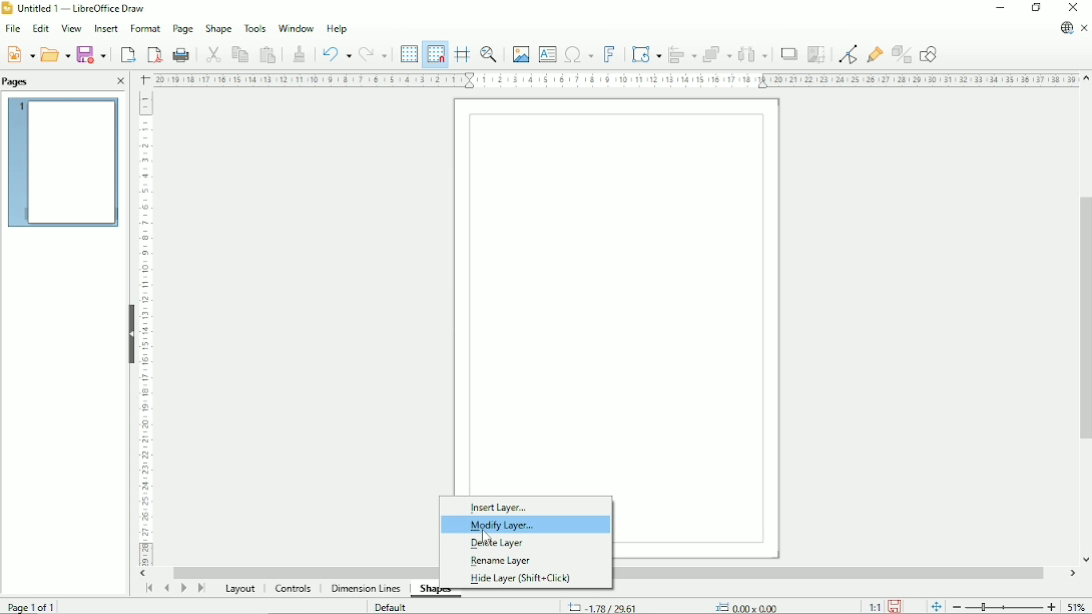  Describe the element at coordinates (183, 589) in the screenshot. I see `Scroll to next page` at that location.